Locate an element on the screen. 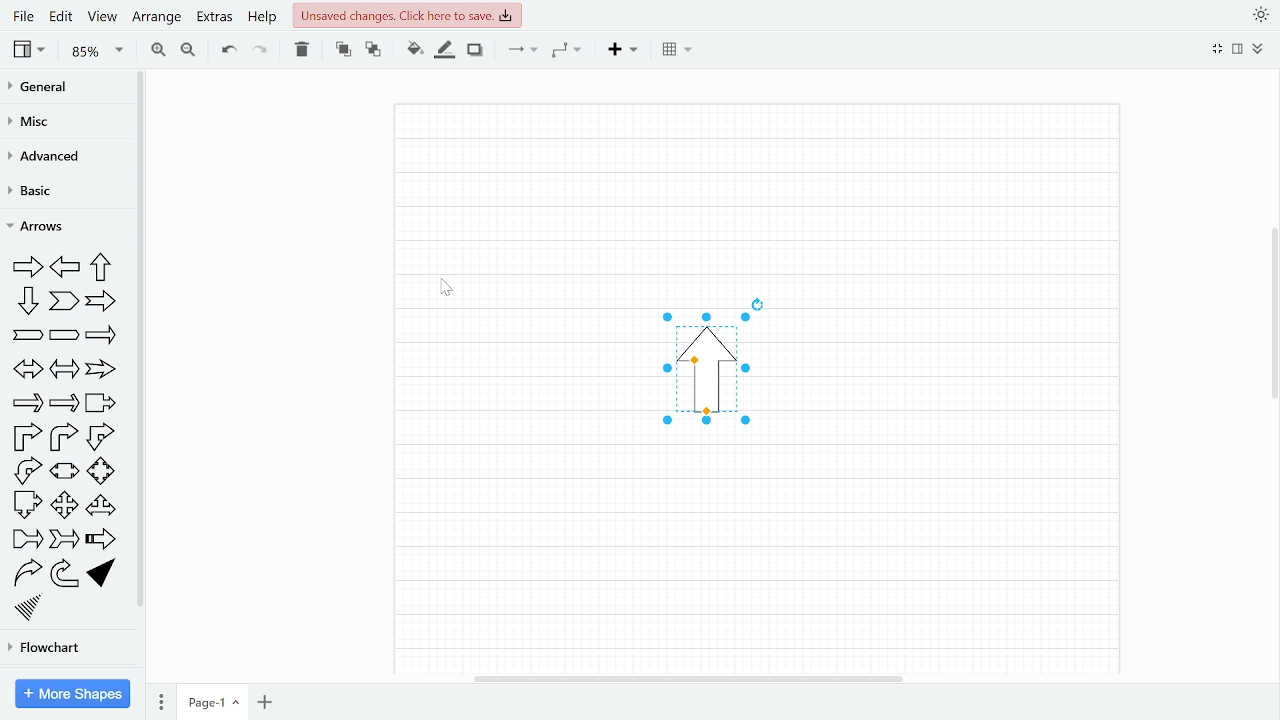 The width and height of the screenshot is (1280, 720). Fill color is located at coordinates (412, 50).